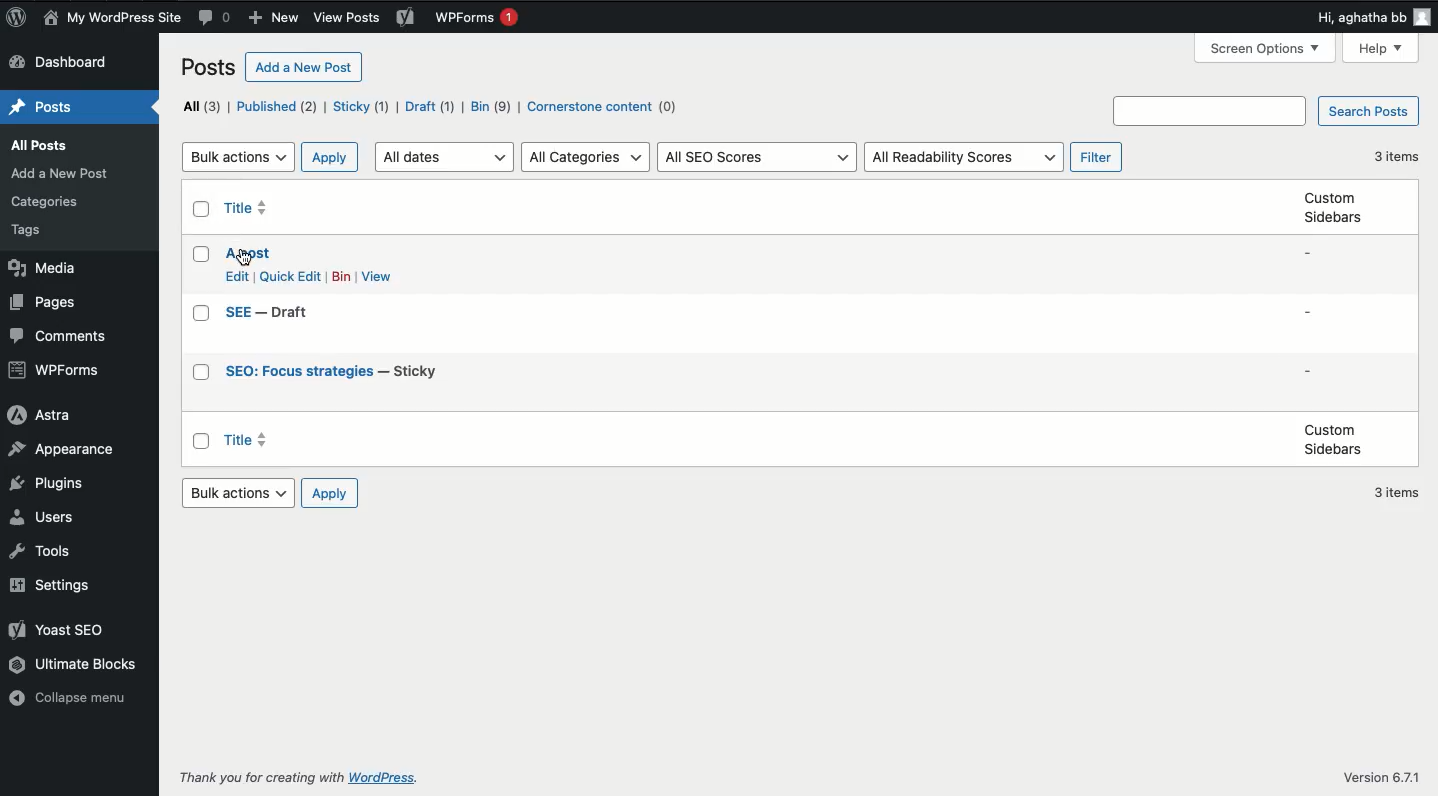 The width and height of the screenshot is (1438, 796). Describe the element at coordinates (1377, 776) in the screenshot. I see `` at that location.